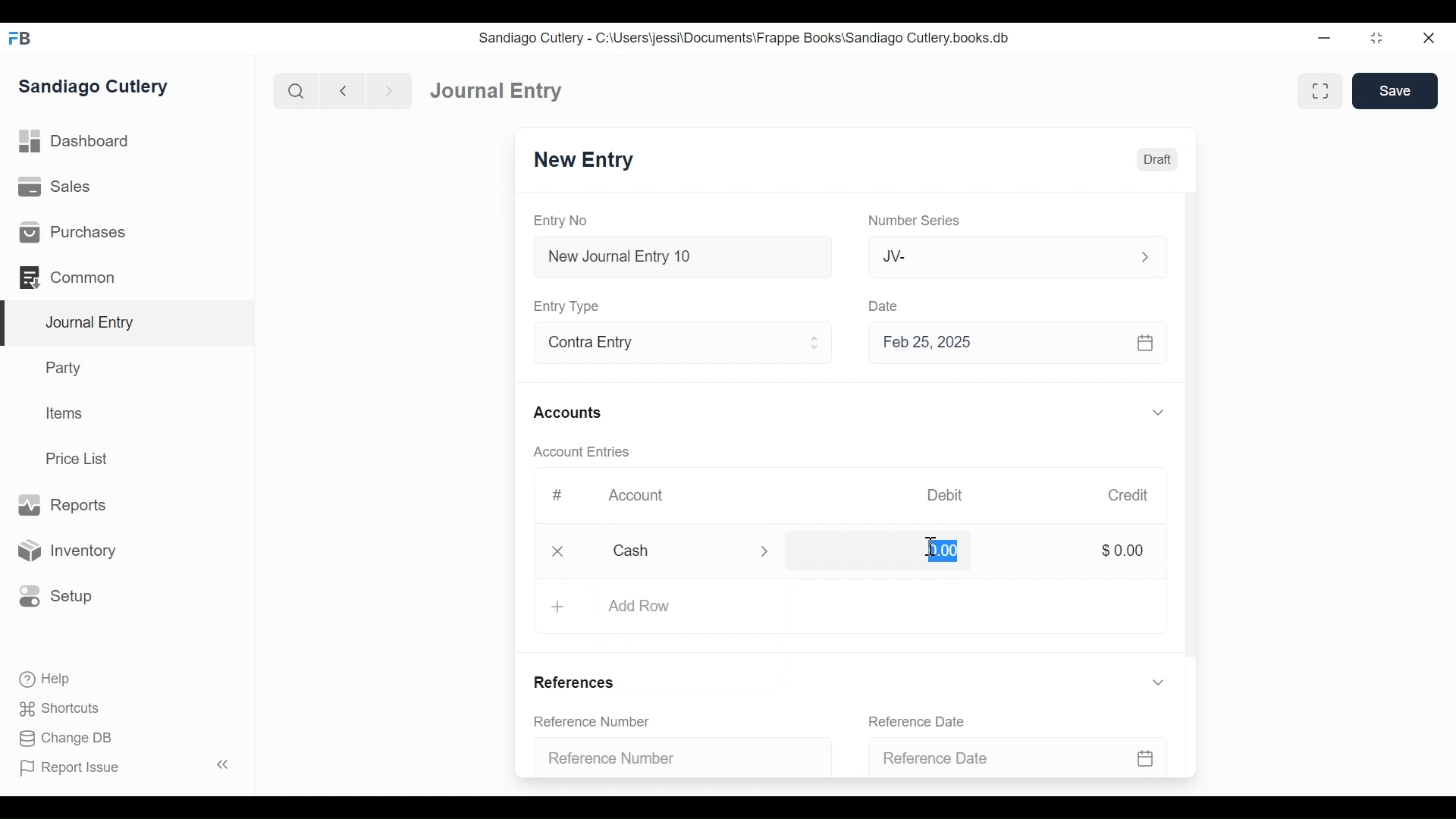 The height and width of the screenshot is (819, 1456). I want to click on Sales, so click(53, 188).